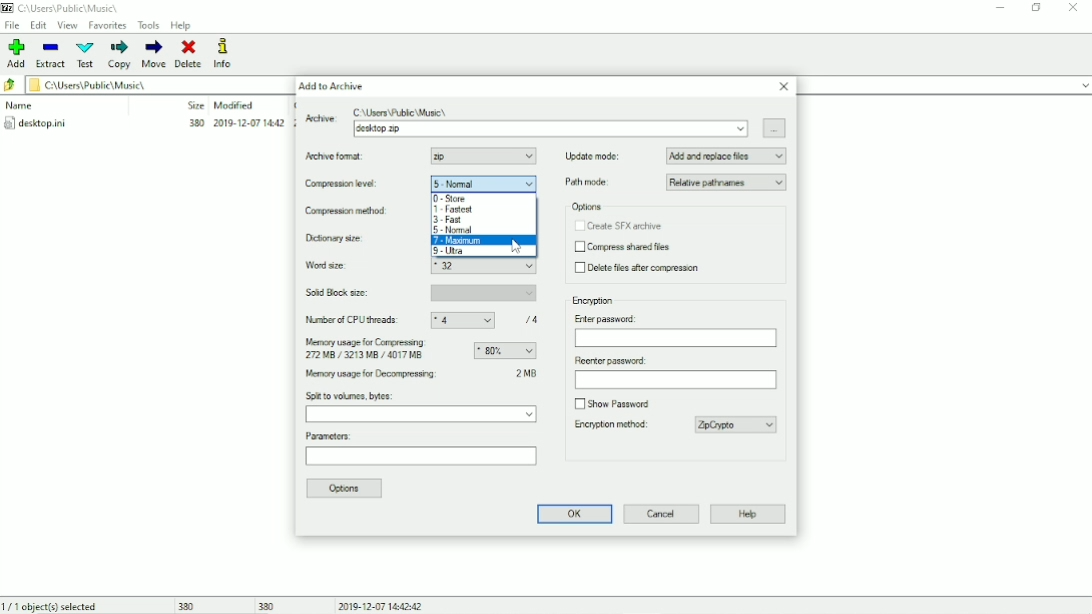 The image size is (1092, 614). Describe the element at coordinates (454, 210) in the screenshot. I see `1 - Fastest` at that location.